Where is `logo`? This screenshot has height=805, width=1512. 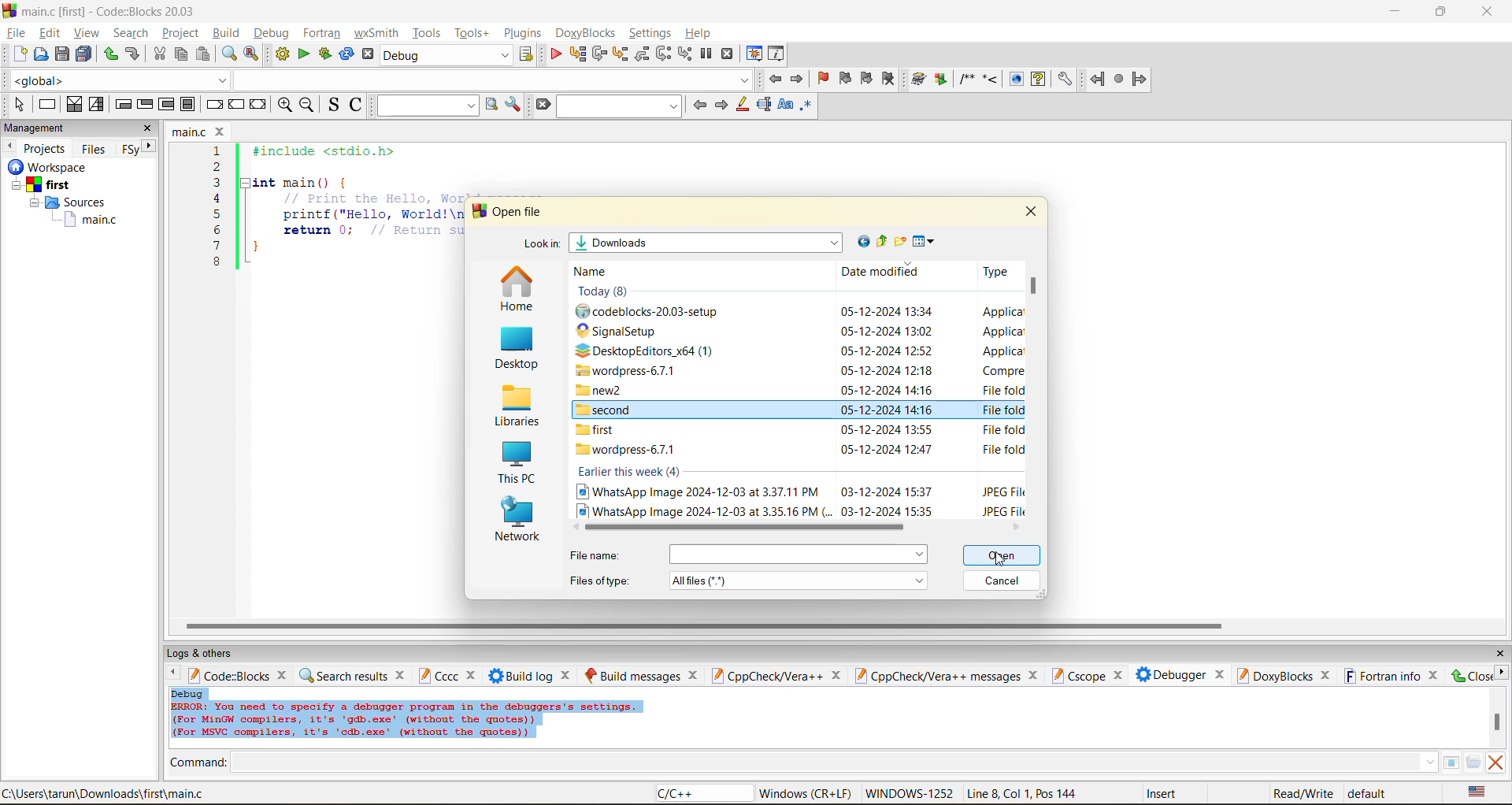 logo is located at coordinates (9, 9).